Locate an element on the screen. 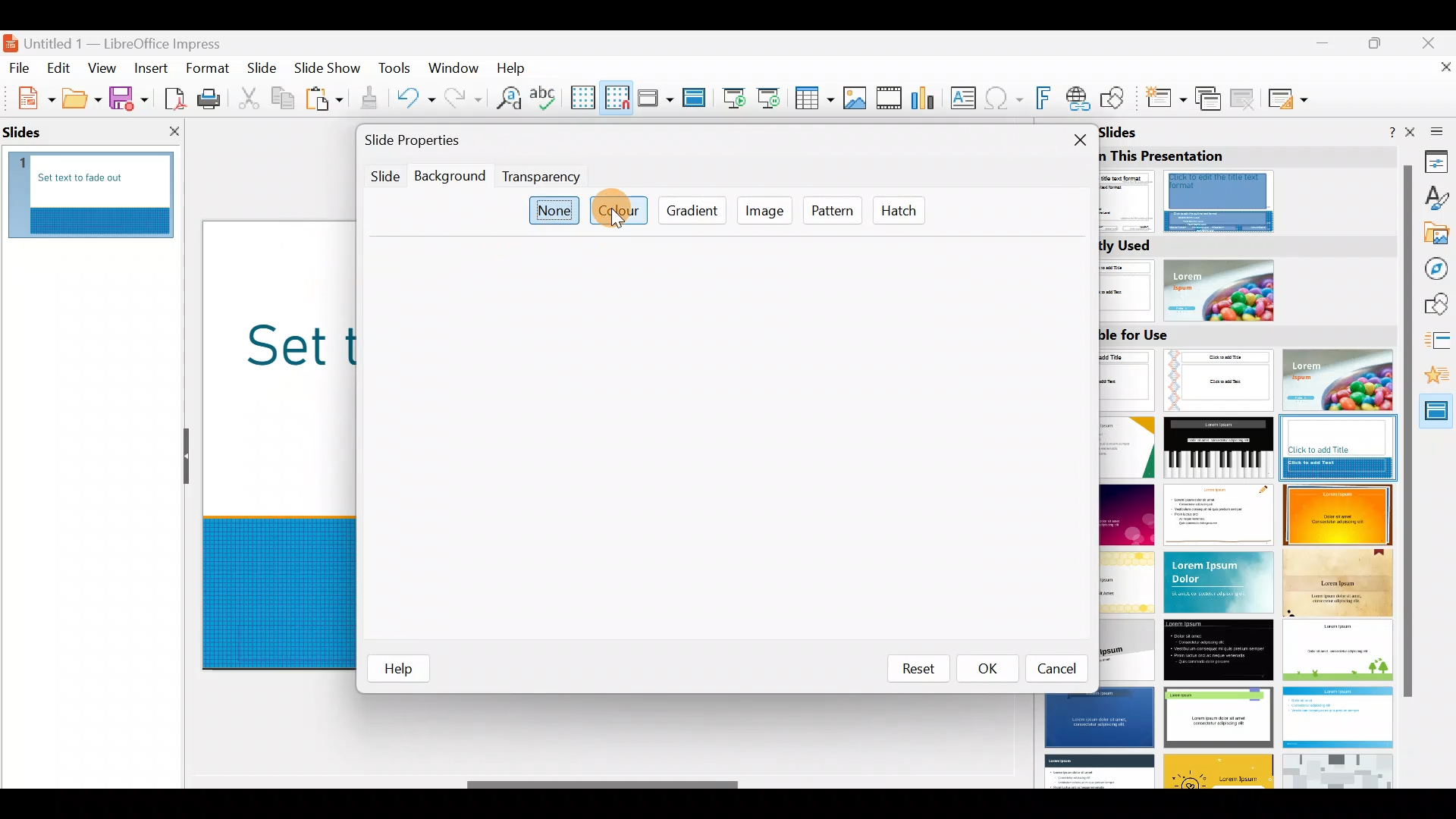 This screenshot has height=819, width=1456. Snap to grid is located at coordinates (614, 97).